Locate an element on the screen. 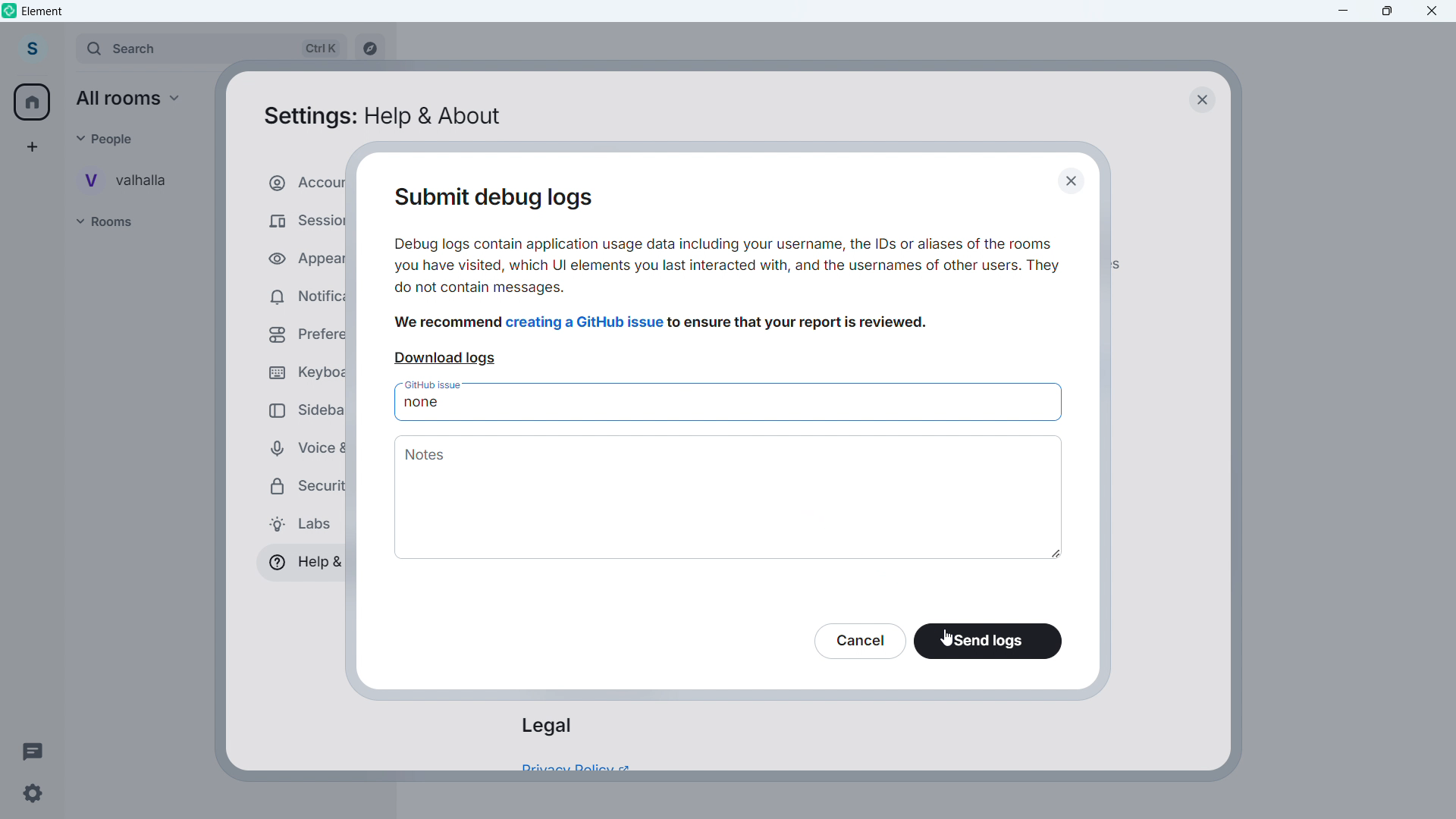 The height and width of the screenshot is (819, 1456). we recommend is located at coordinates (449, 323).